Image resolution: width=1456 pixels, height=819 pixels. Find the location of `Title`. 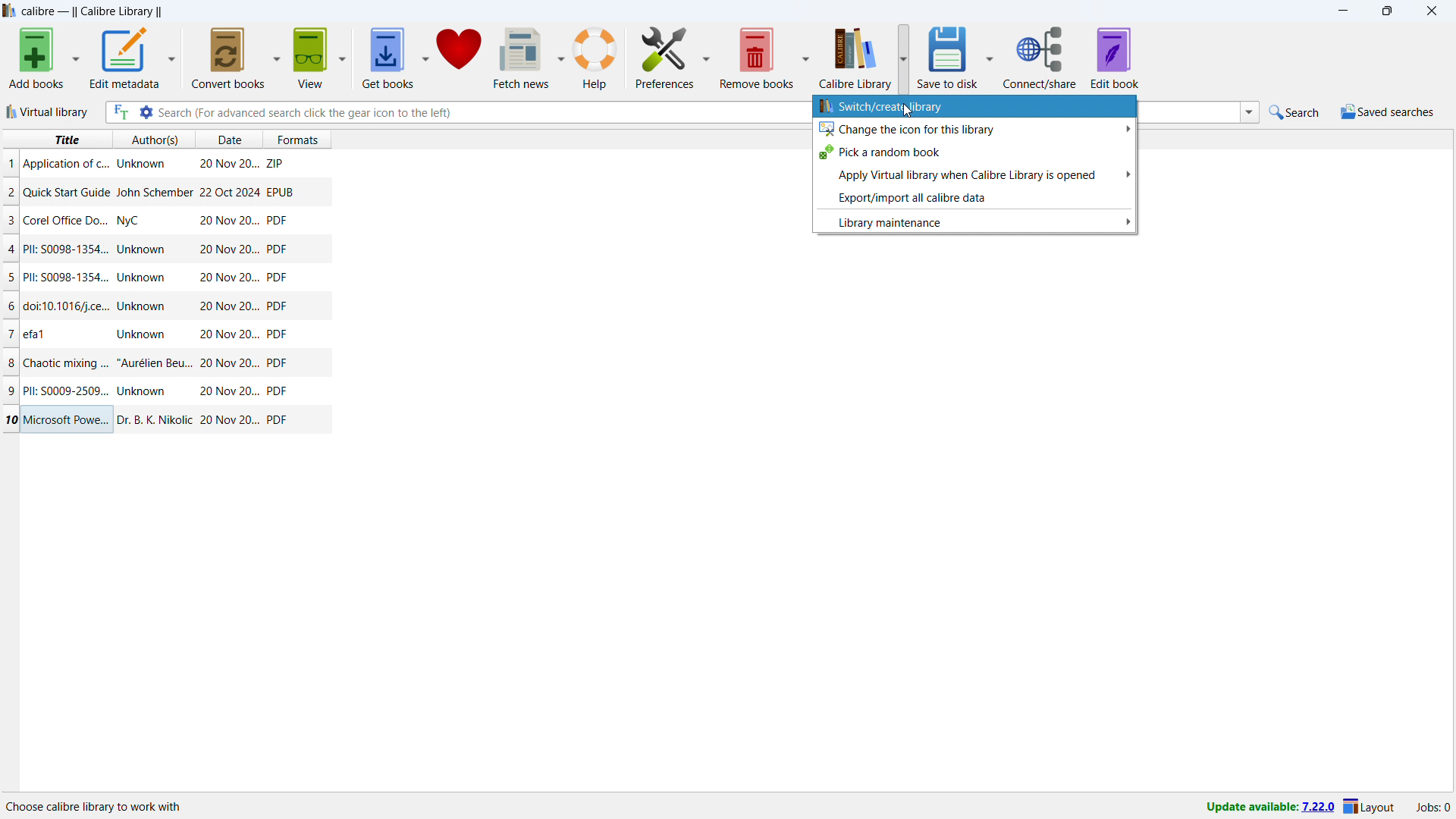

Title is located at coordinates (66, 249).